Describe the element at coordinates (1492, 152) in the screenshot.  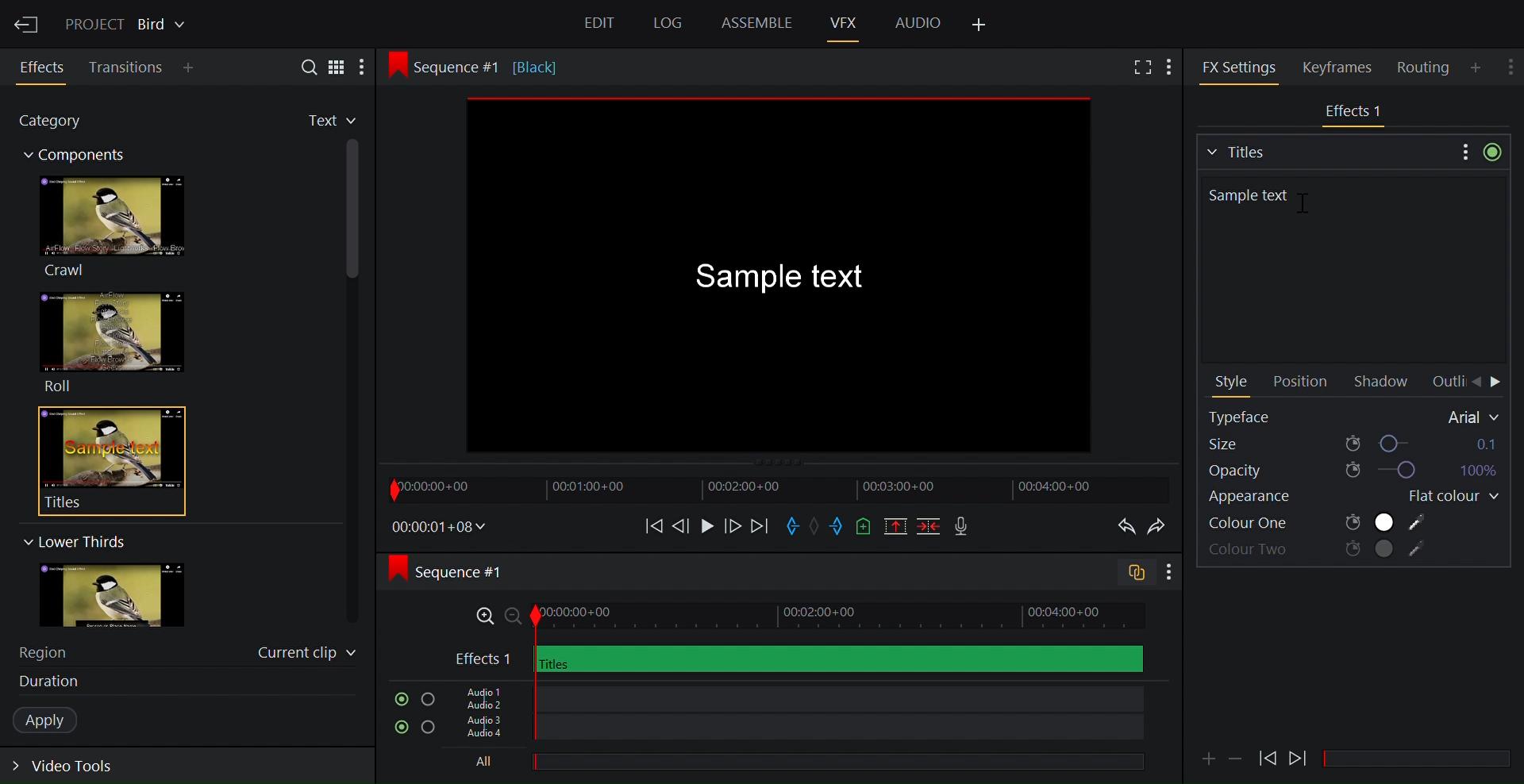
I see `Toggle bypass` at that location.